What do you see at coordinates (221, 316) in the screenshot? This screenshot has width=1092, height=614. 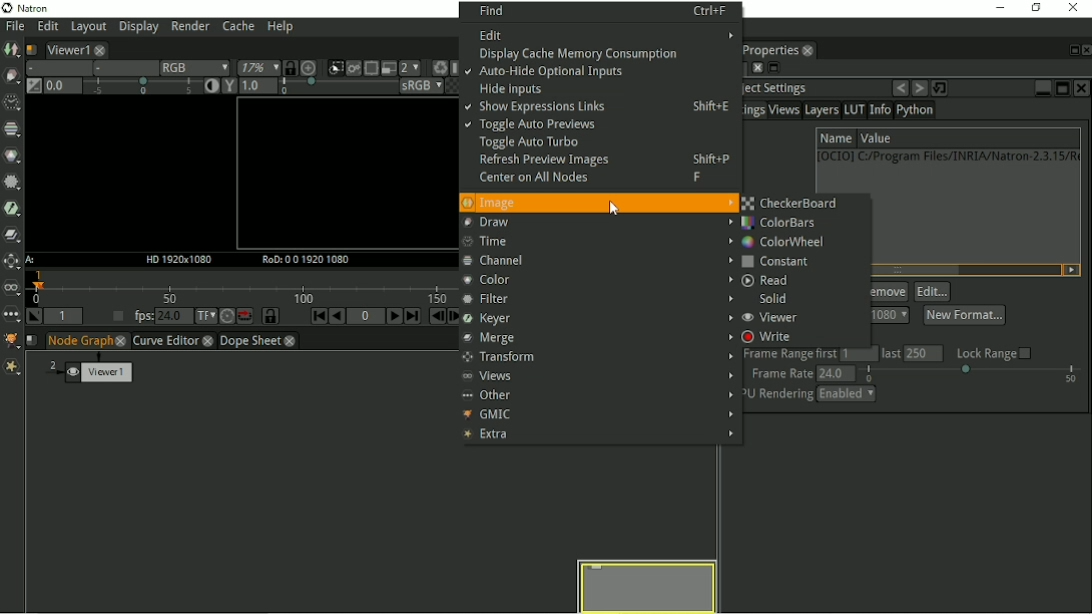 I see `Turbo mode` at bounding box center [221, 316].